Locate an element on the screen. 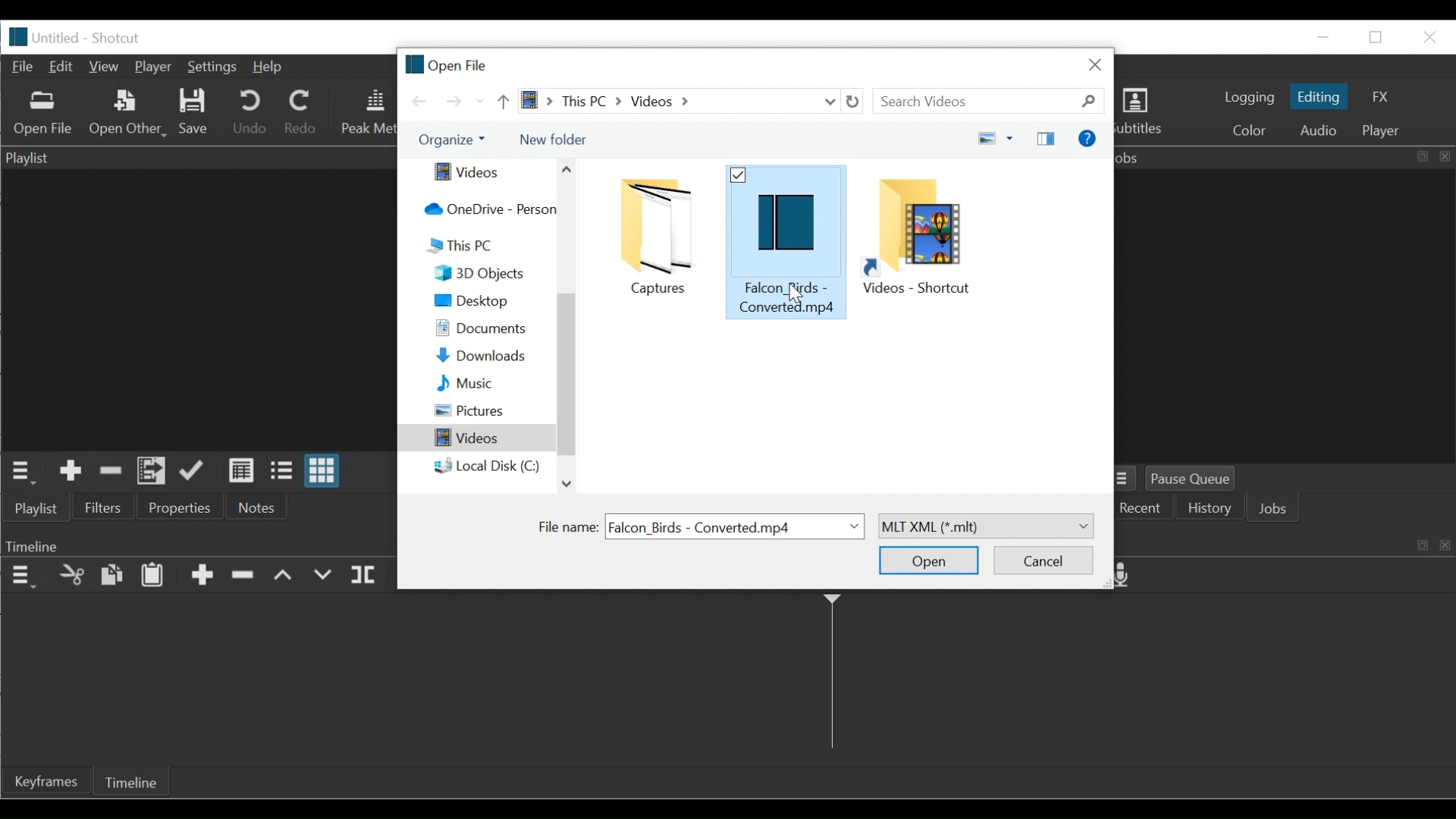 This screenshot has height=819, width=1456. Remove cut is located at coordinates (108, 472).